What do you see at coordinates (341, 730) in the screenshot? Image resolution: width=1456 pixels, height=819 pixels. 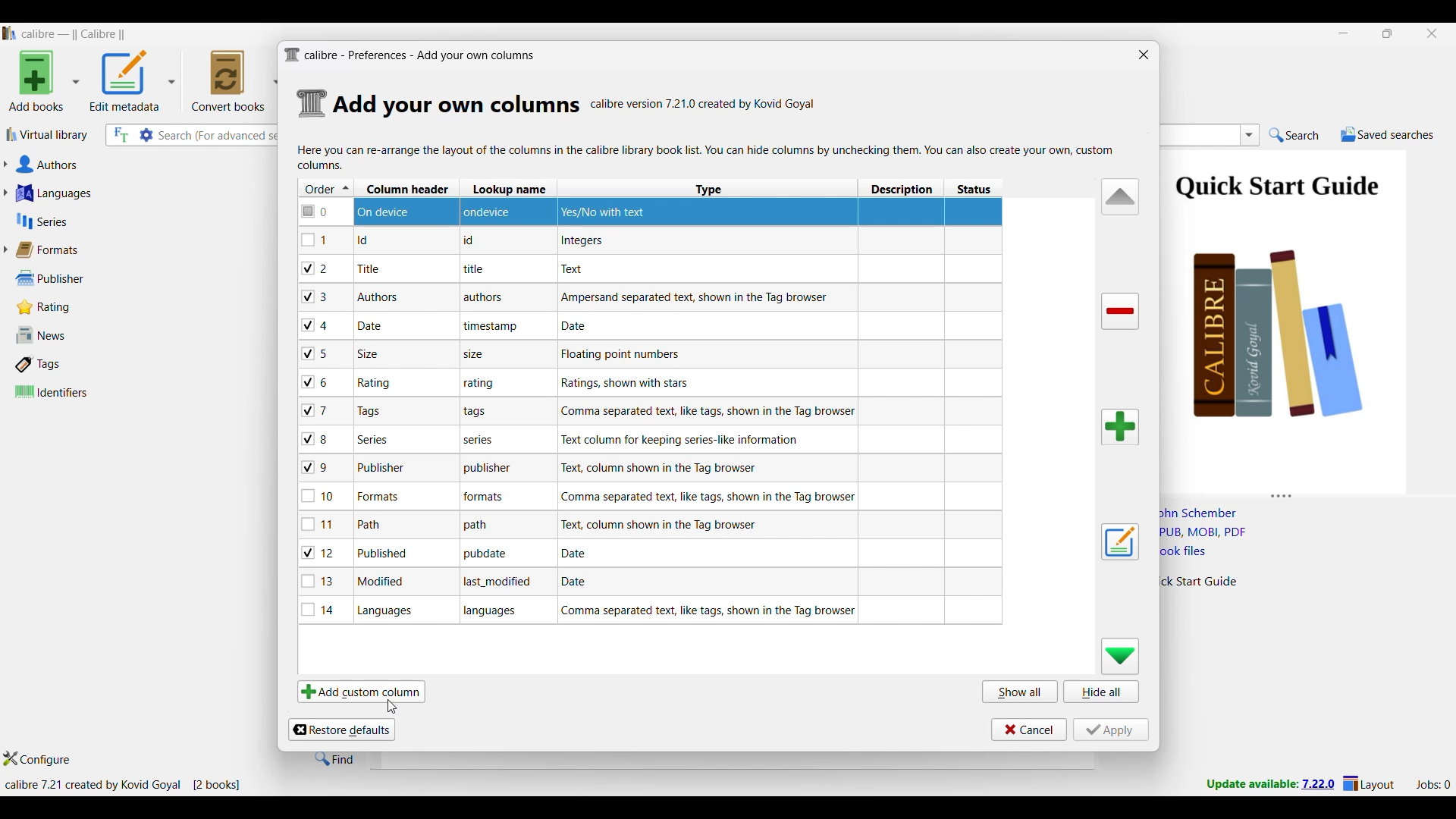 I see `Restore defaults` at bounding box center [341, 730].